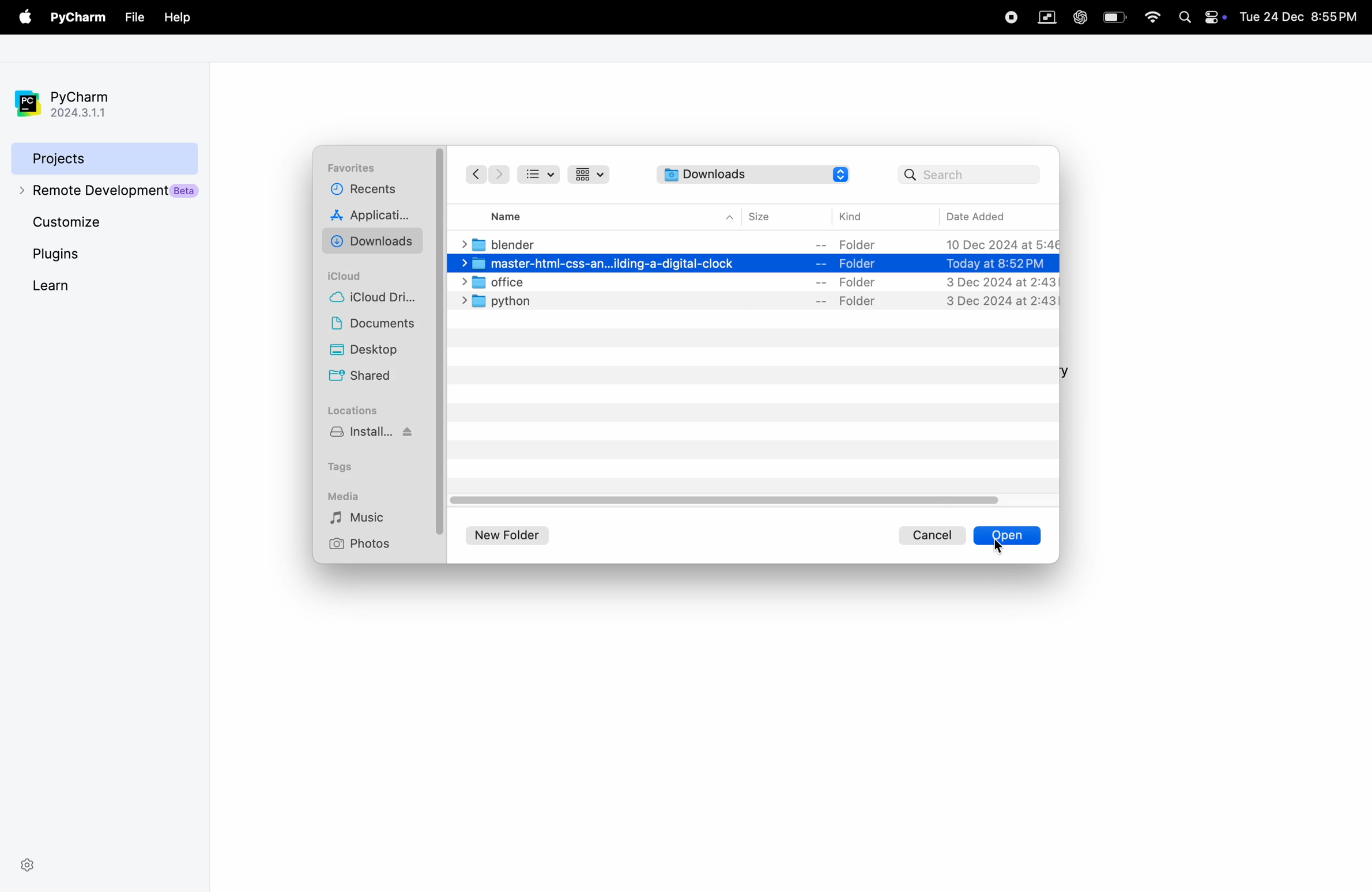  What do you see at coordinates (753, 263) in the screenshot?
I see `master-html-css-and-javascript-by-building-a-digital-clock` at bounding box center [753, 263].